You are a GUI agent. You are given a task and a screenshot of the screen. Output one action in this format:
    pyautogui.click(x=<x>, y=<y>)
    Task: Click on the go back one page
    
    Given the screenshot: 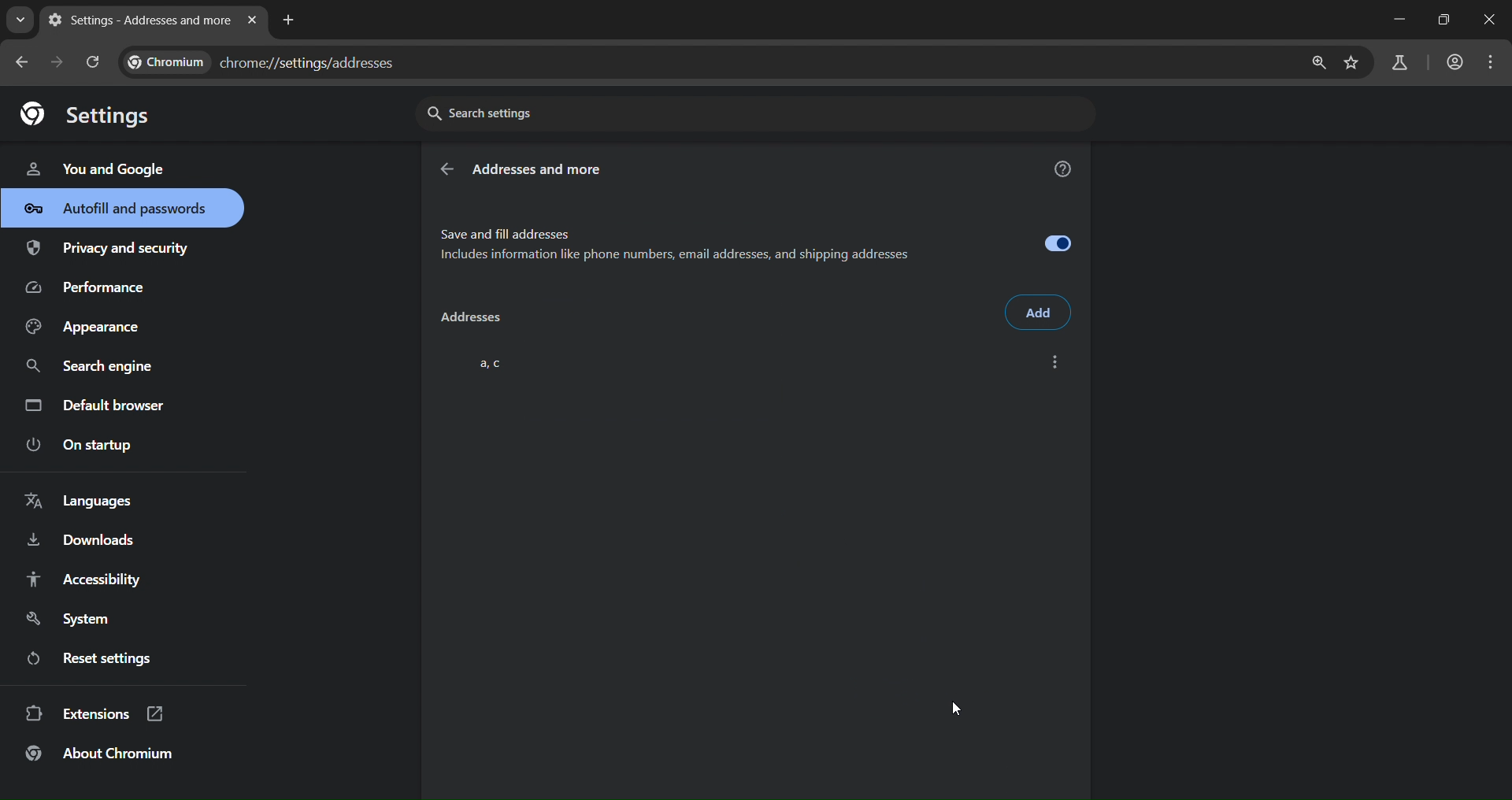 What is the action you would take?
    pyautogui.click(x=24, y=61)
    